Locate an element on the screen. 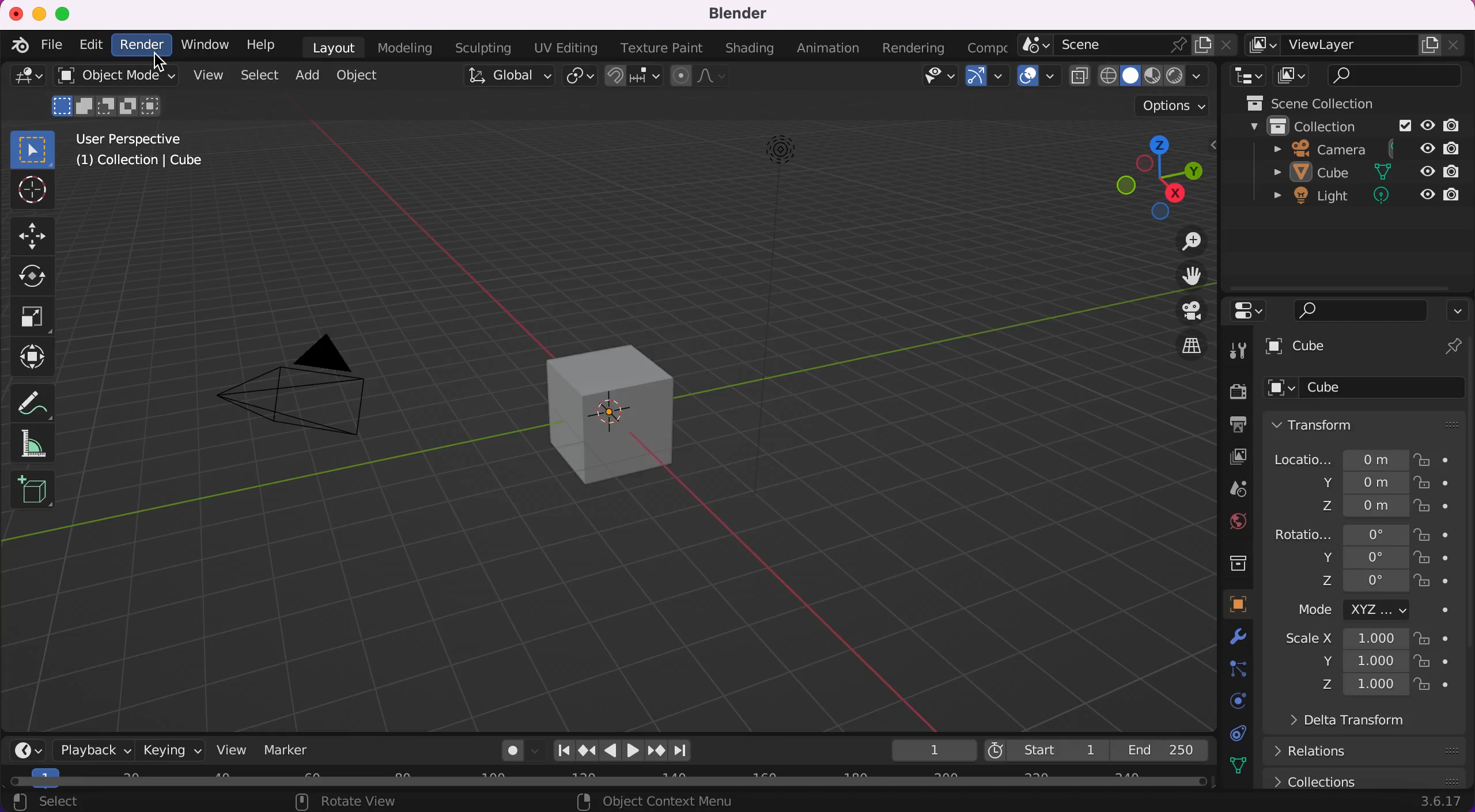 The width and height of the screenshot is (1475, 812). collections is located at coordinates (1368, 779).